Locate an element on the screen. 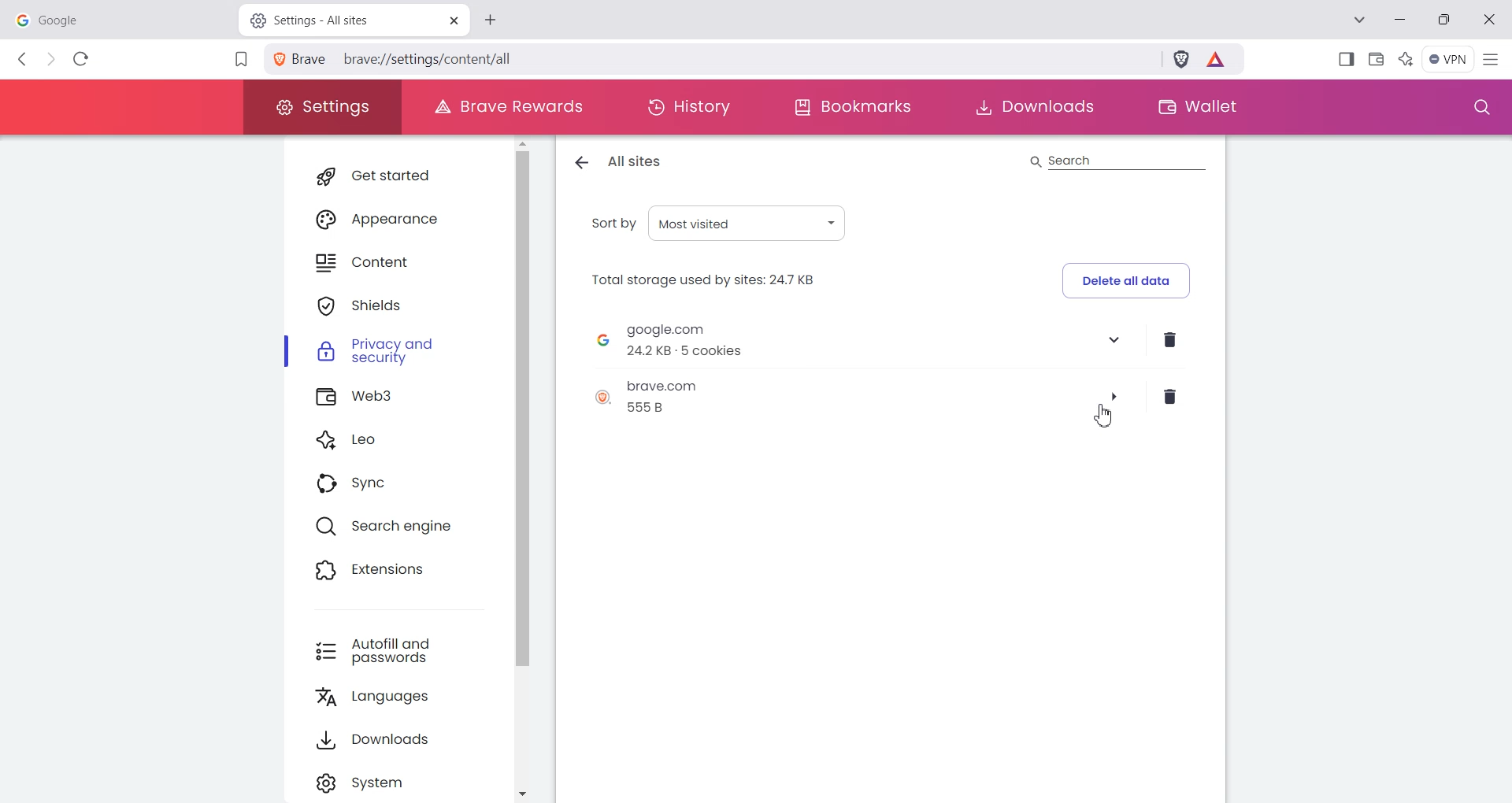  Search engine is located at coordinates (388, 528).